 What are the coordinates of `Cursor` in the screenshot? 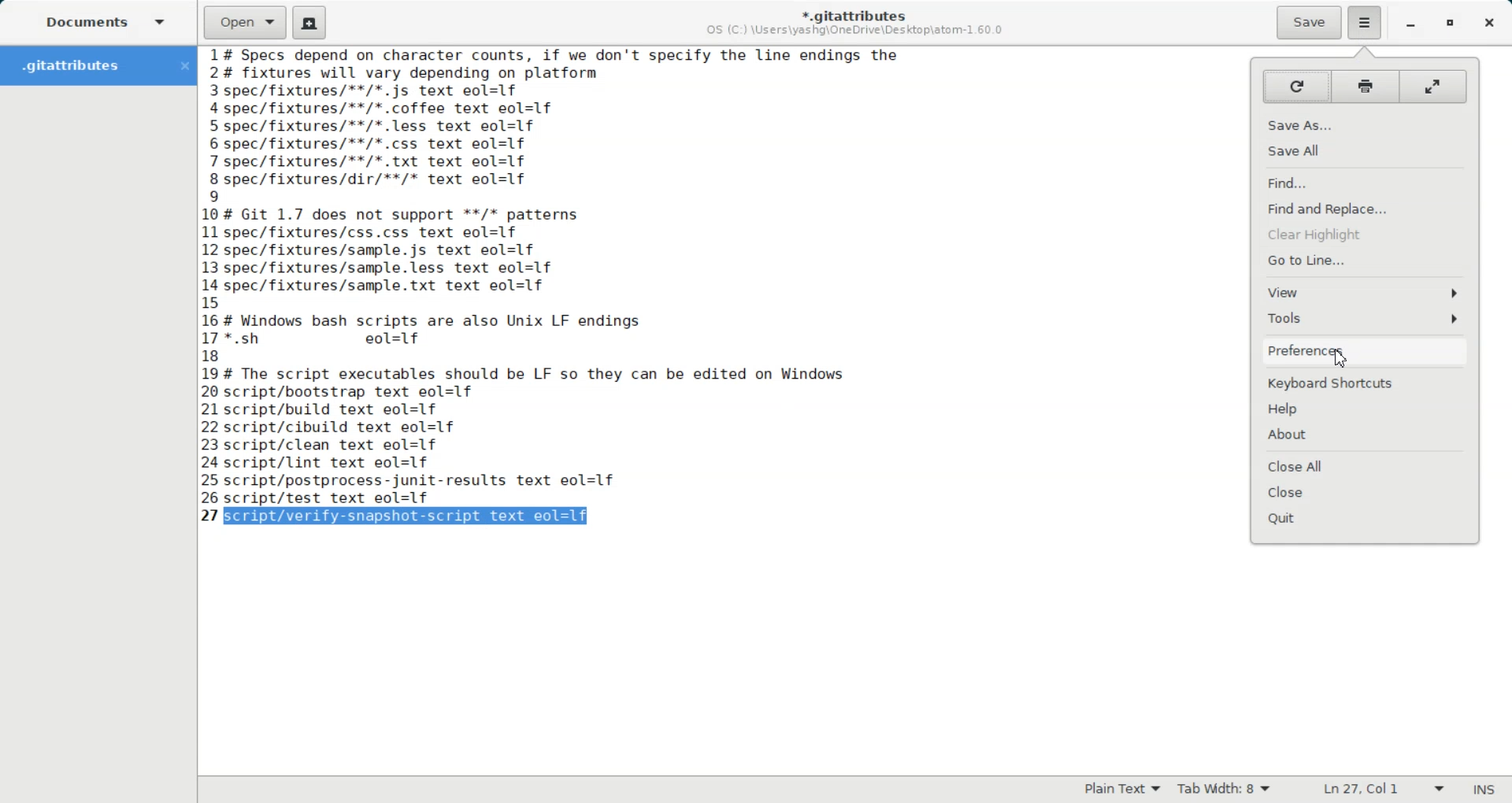 It's located at (1340, 358).